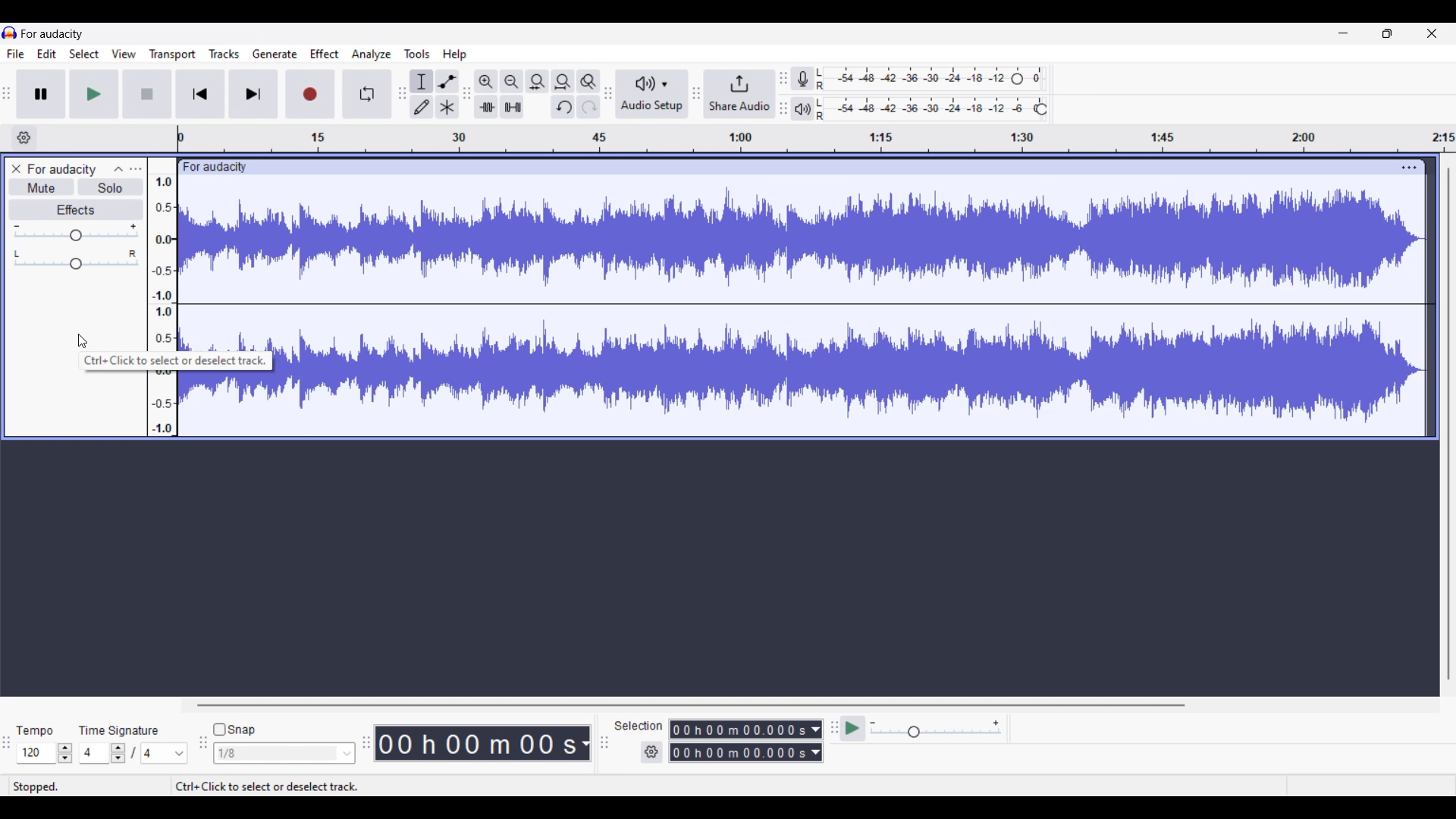  What do you see at coordinates (176, 361) in the screenshot?
I see `Description of current selection` at bounding box center [176, 361].